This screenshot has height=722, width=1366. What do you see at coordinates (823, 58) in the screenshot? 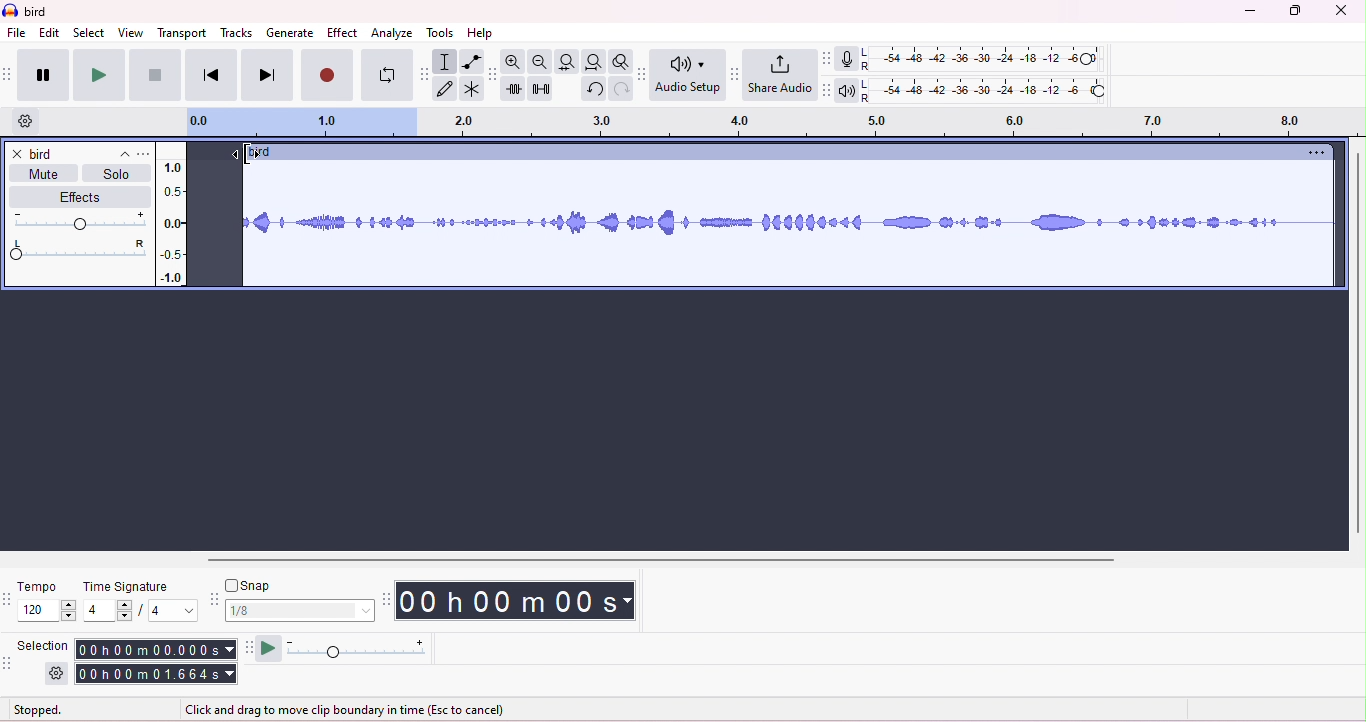
I see `playback meter tool bar` at bounding box center [823, 58].